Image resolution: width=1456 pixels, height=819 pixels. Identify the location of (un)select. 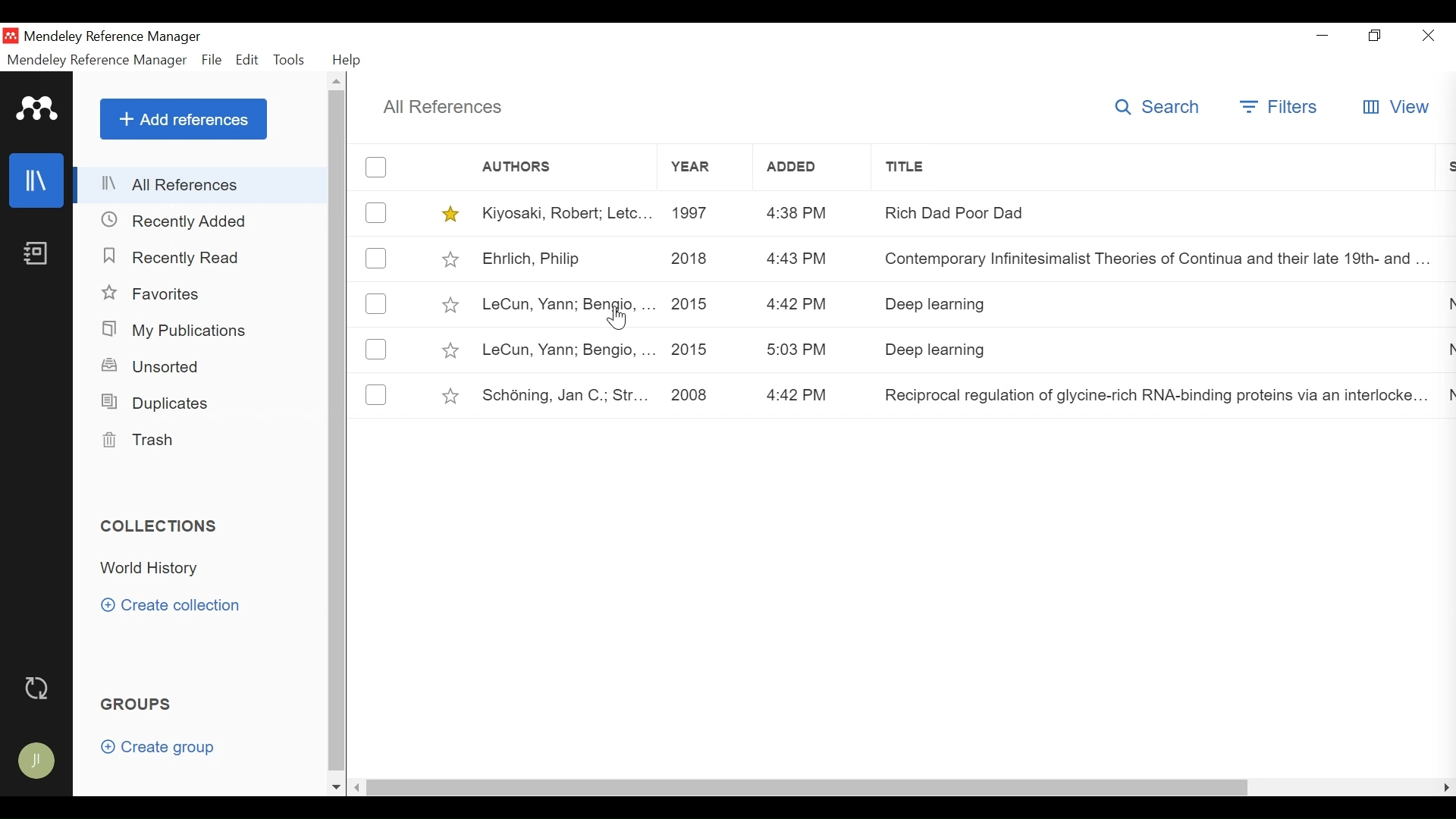
(376, 167).